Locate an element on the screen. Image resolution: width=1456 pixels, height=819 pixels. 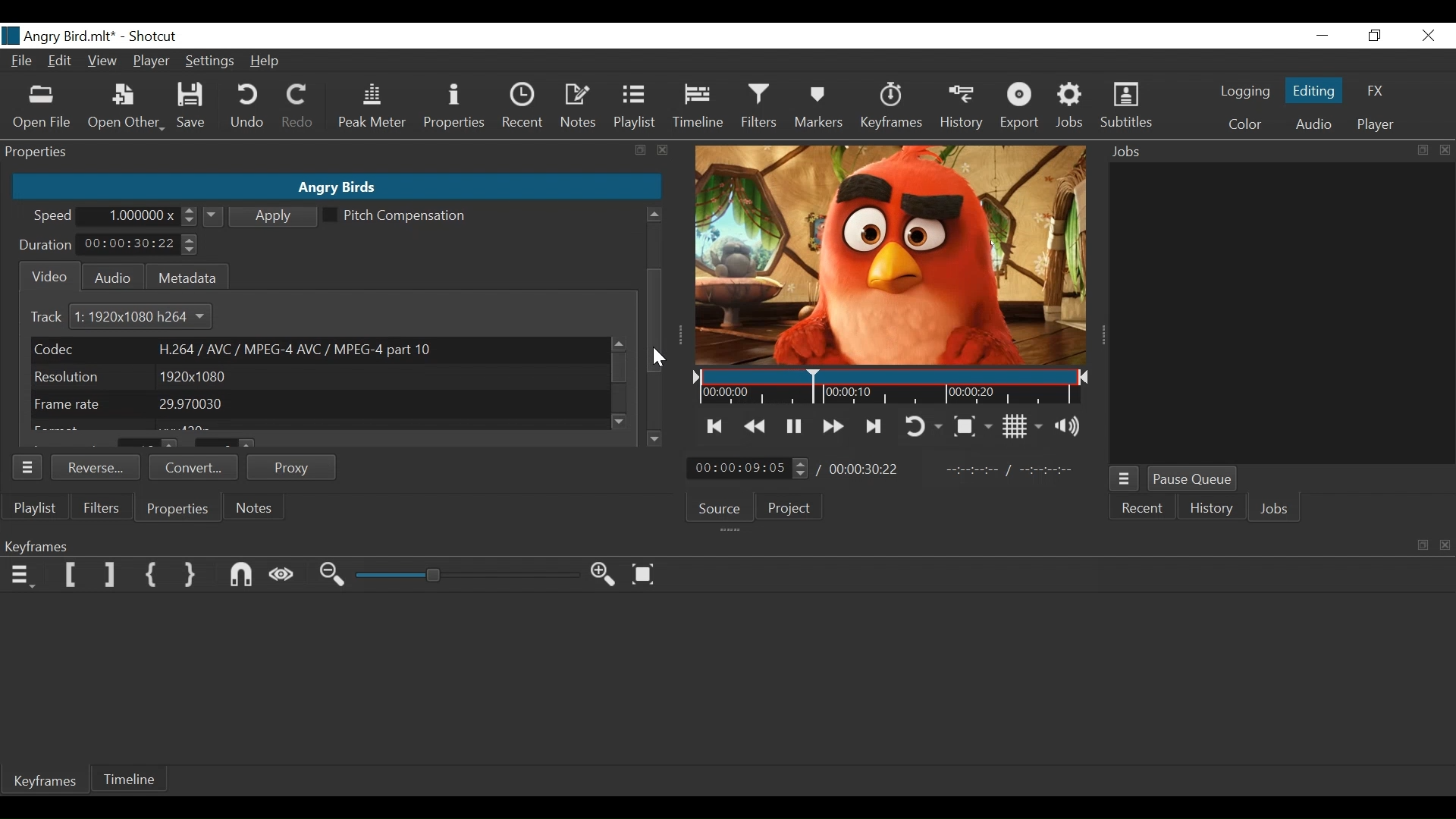
Audio is located at coordinates (108, 276).